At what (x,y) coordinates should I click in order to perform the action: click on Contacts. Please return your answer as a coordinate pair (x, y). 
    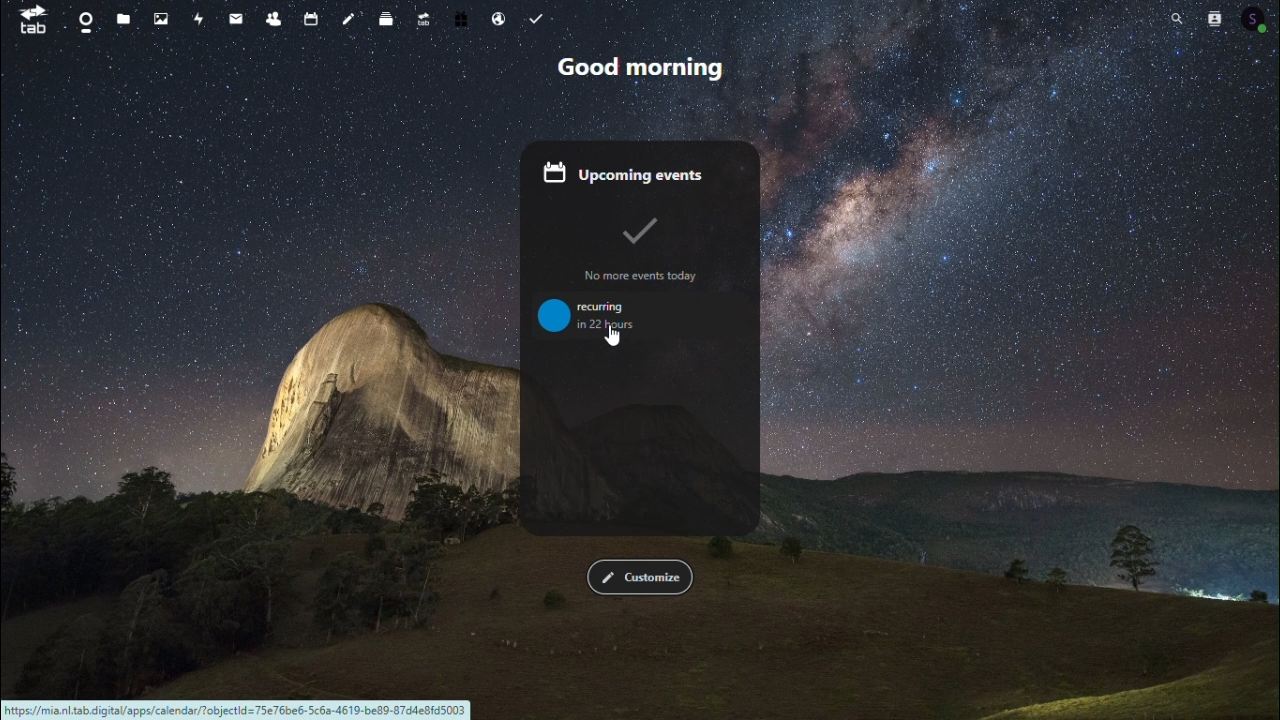
    Looking at the image, I should click on (278, 15).